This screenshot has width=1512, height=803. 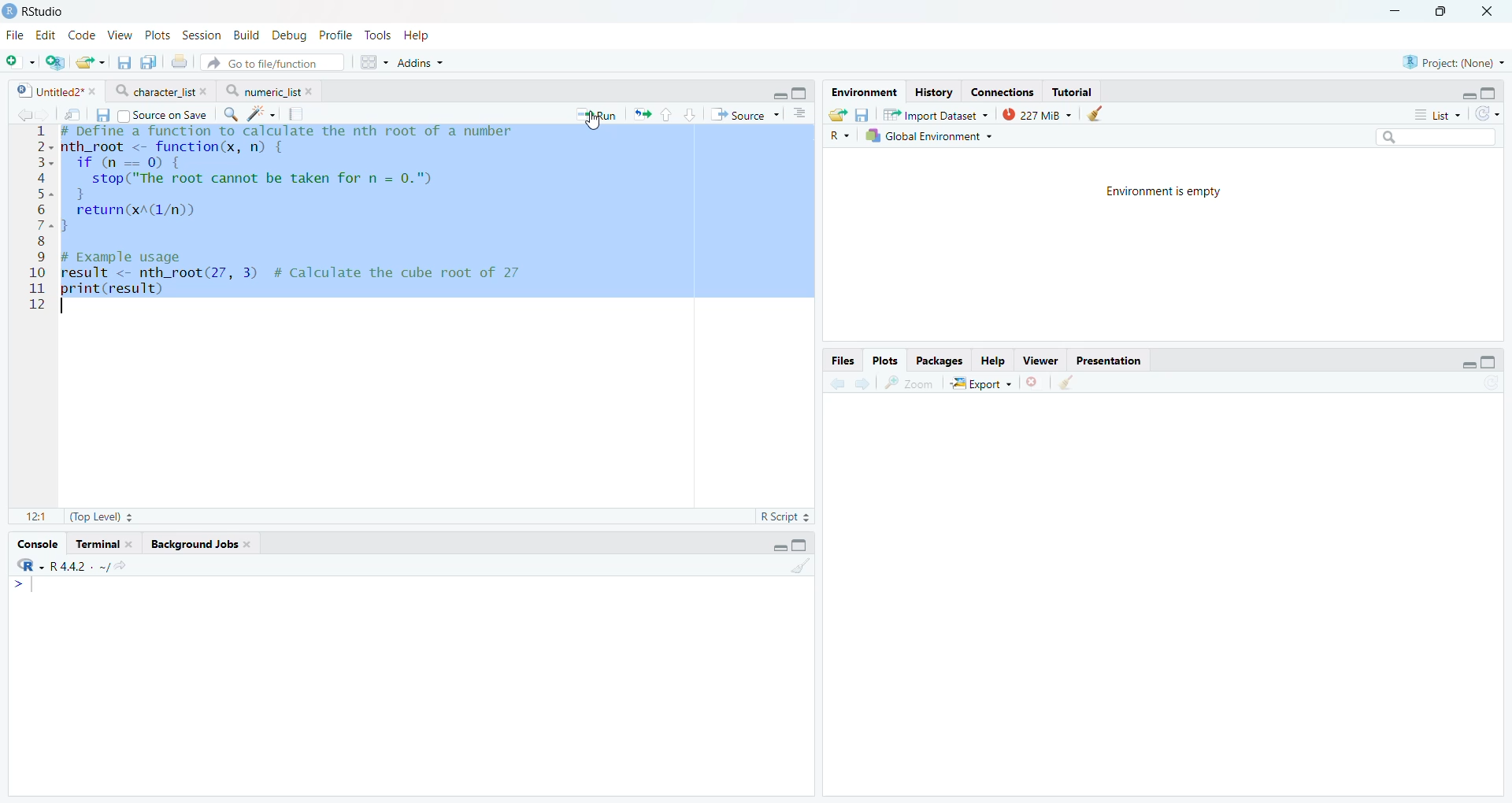 What do you see at coordinates (863, 115) in the screenshot?
I see `Save` at bounding box center [863, 115].